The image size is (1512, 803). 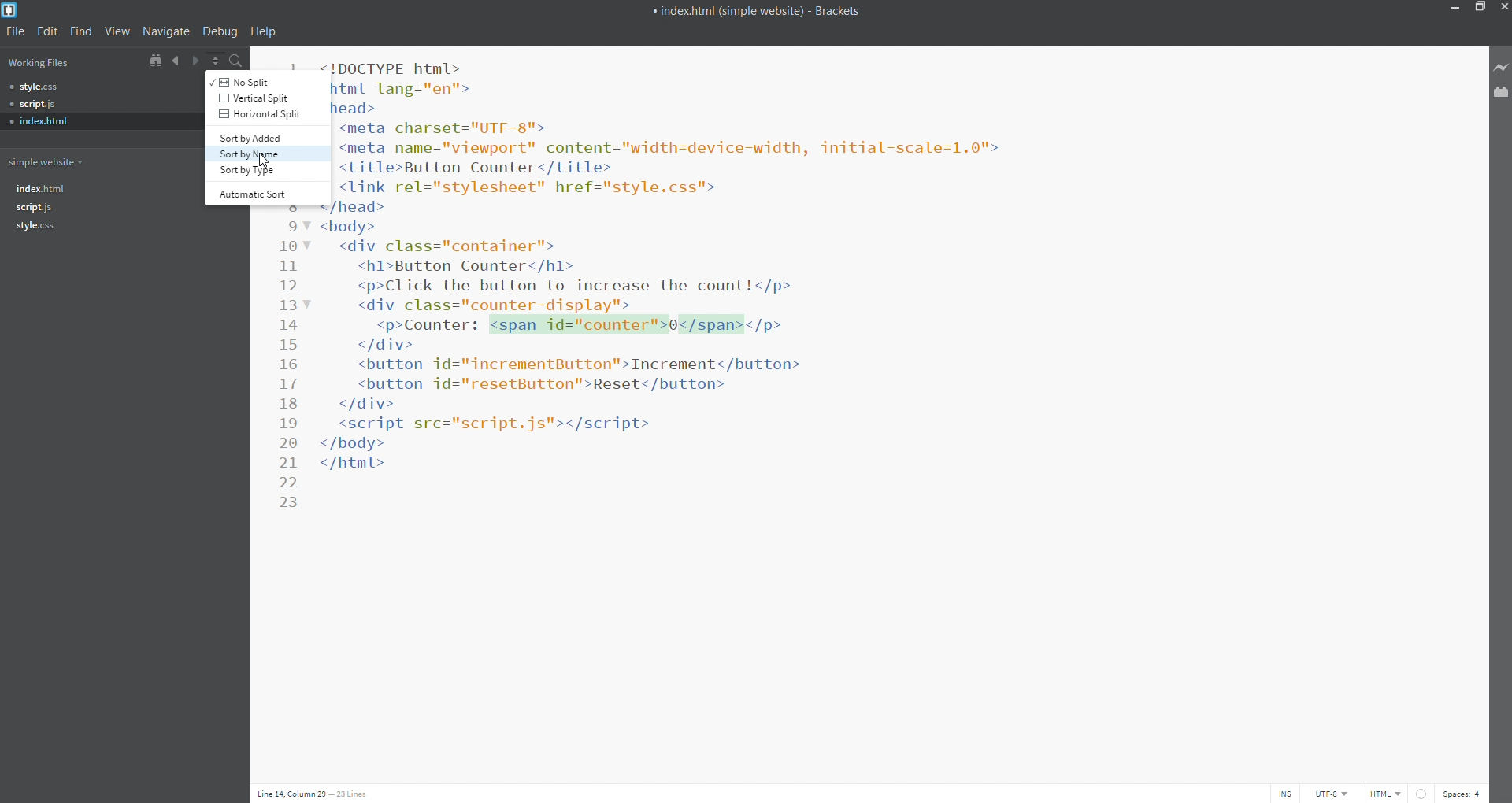 What do you see at coordinates (68, 62) in the screenshot?
I see `working files list` at bounding box center [68, 62].